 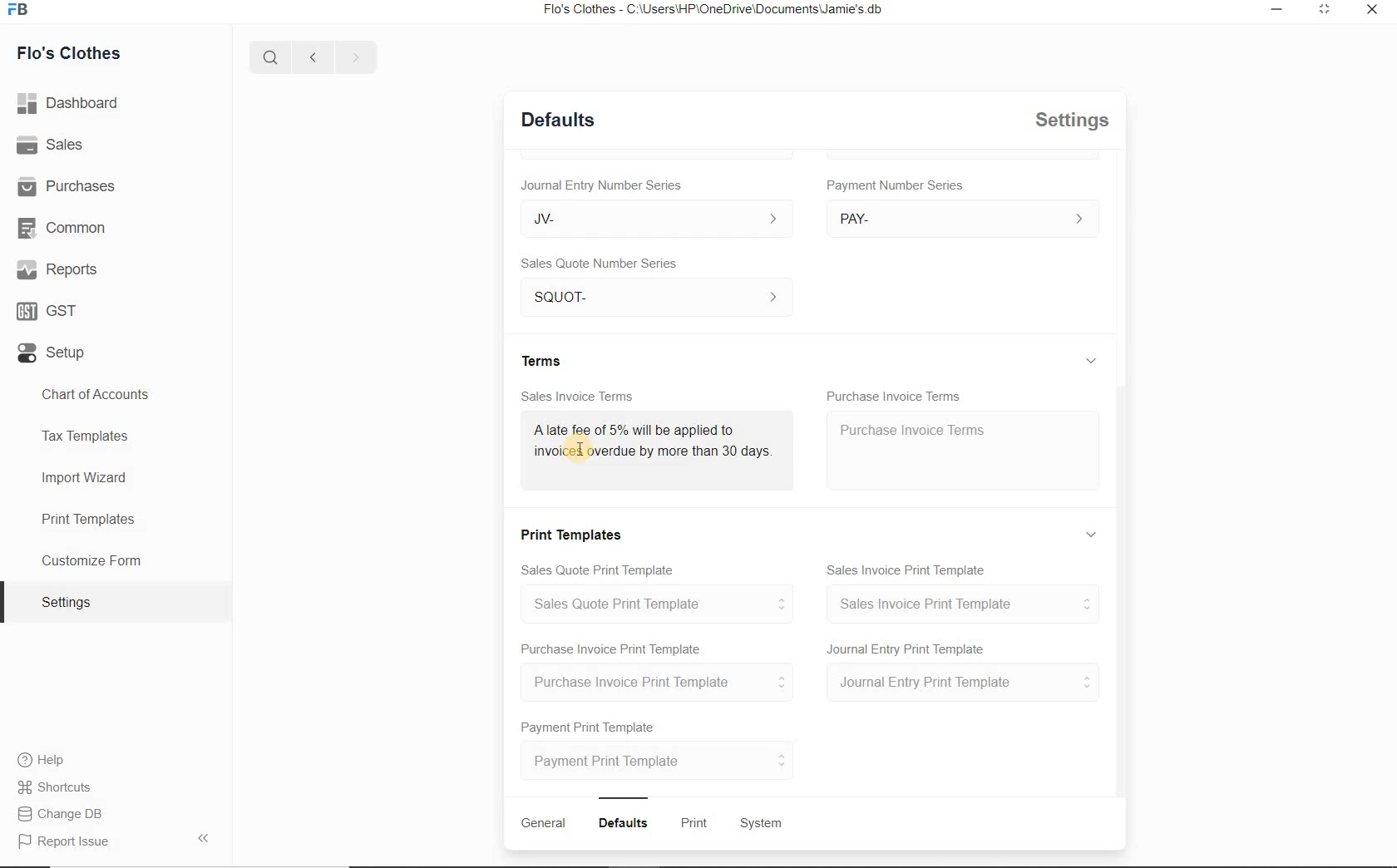 I want to click on Bar, so click(x=624, y=796).